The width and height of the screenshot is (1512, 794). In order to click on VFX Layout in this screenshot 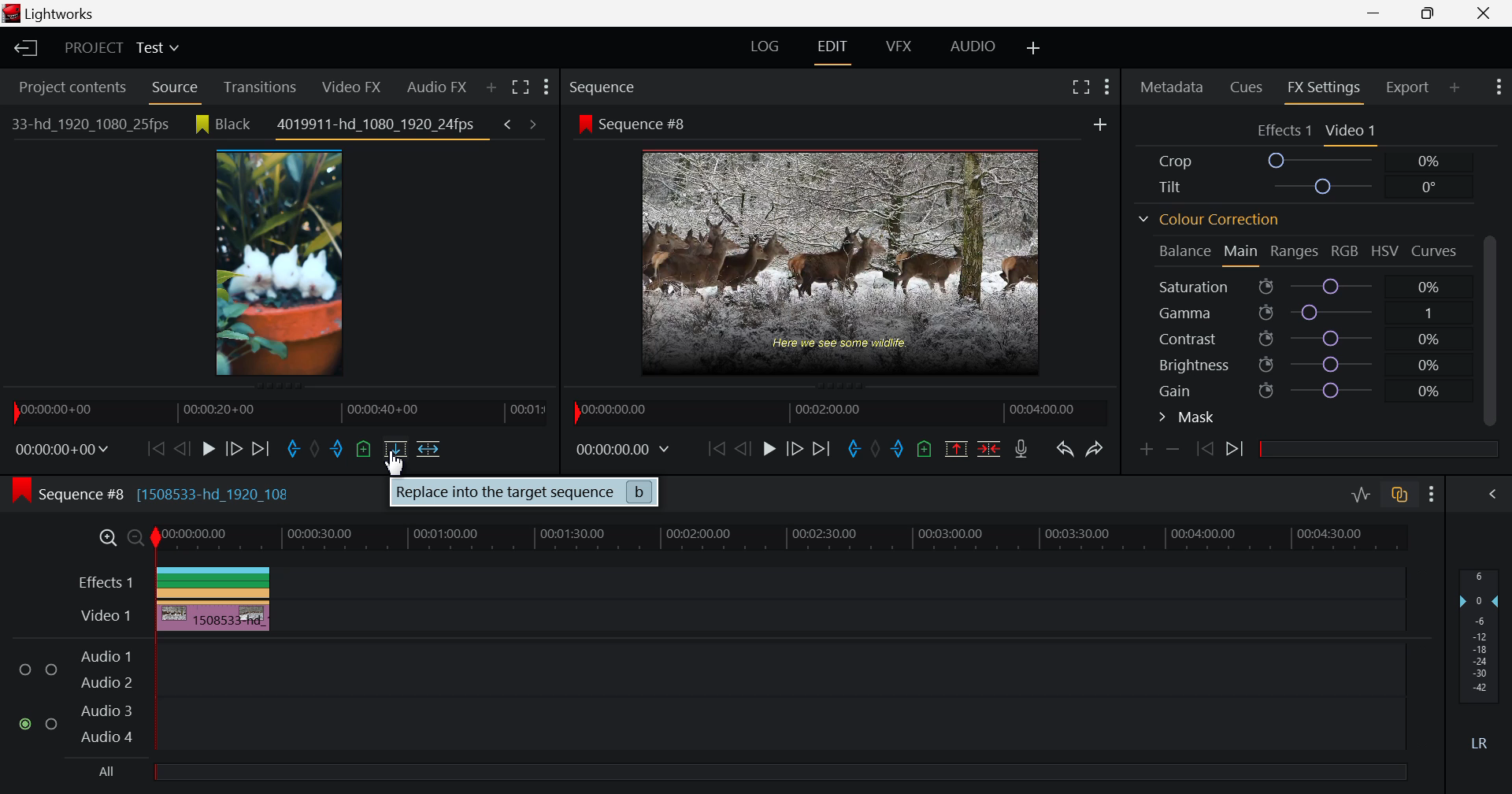, I will do `click(899, 46)`.